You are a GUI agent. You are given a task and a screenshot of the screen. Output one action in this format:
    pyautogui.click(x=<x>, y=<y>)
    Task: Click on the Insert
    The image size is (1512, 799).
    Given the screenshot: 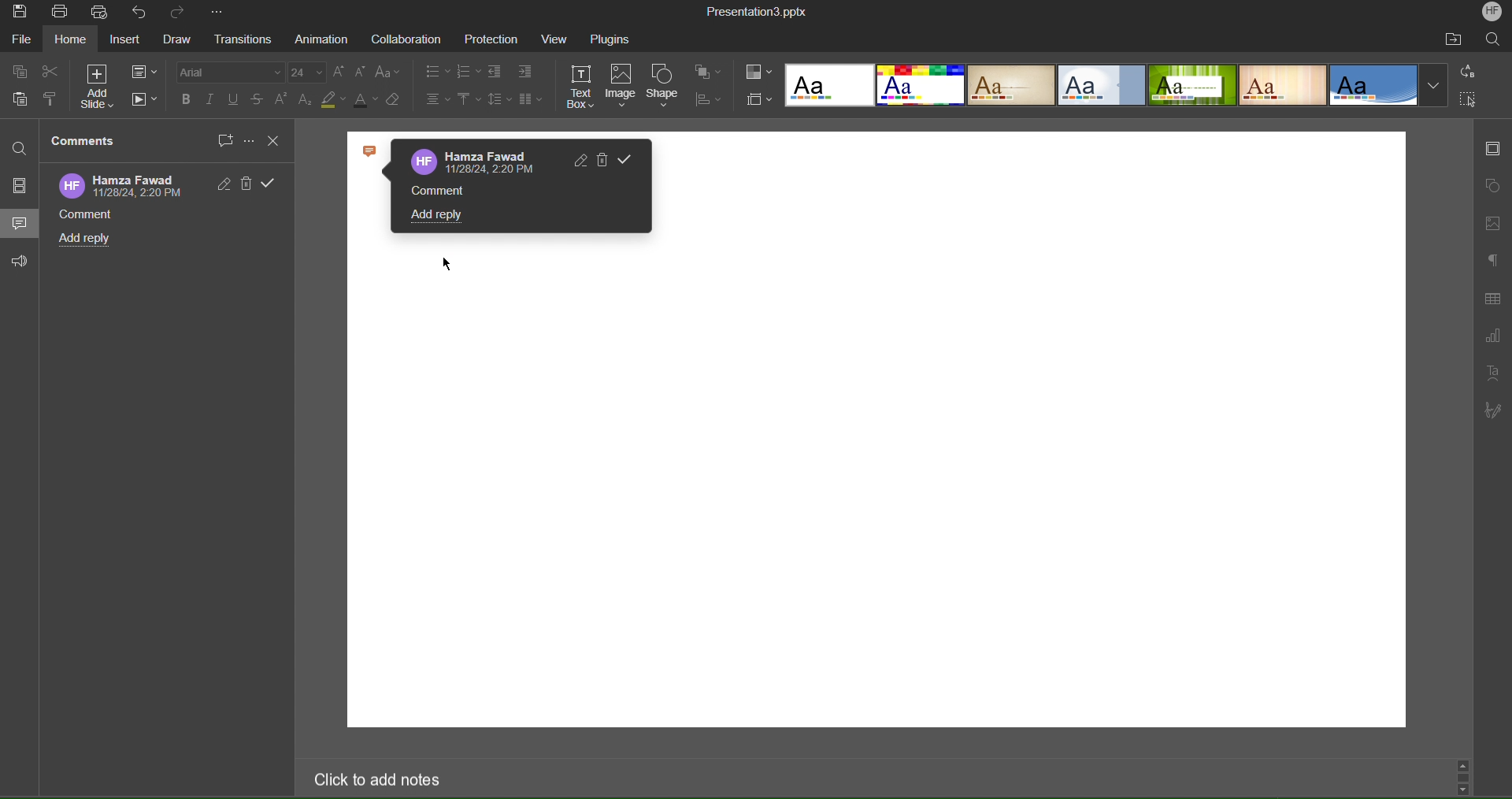 What is the action you would take?
    pyautogui.click(x=127, y=42)
    